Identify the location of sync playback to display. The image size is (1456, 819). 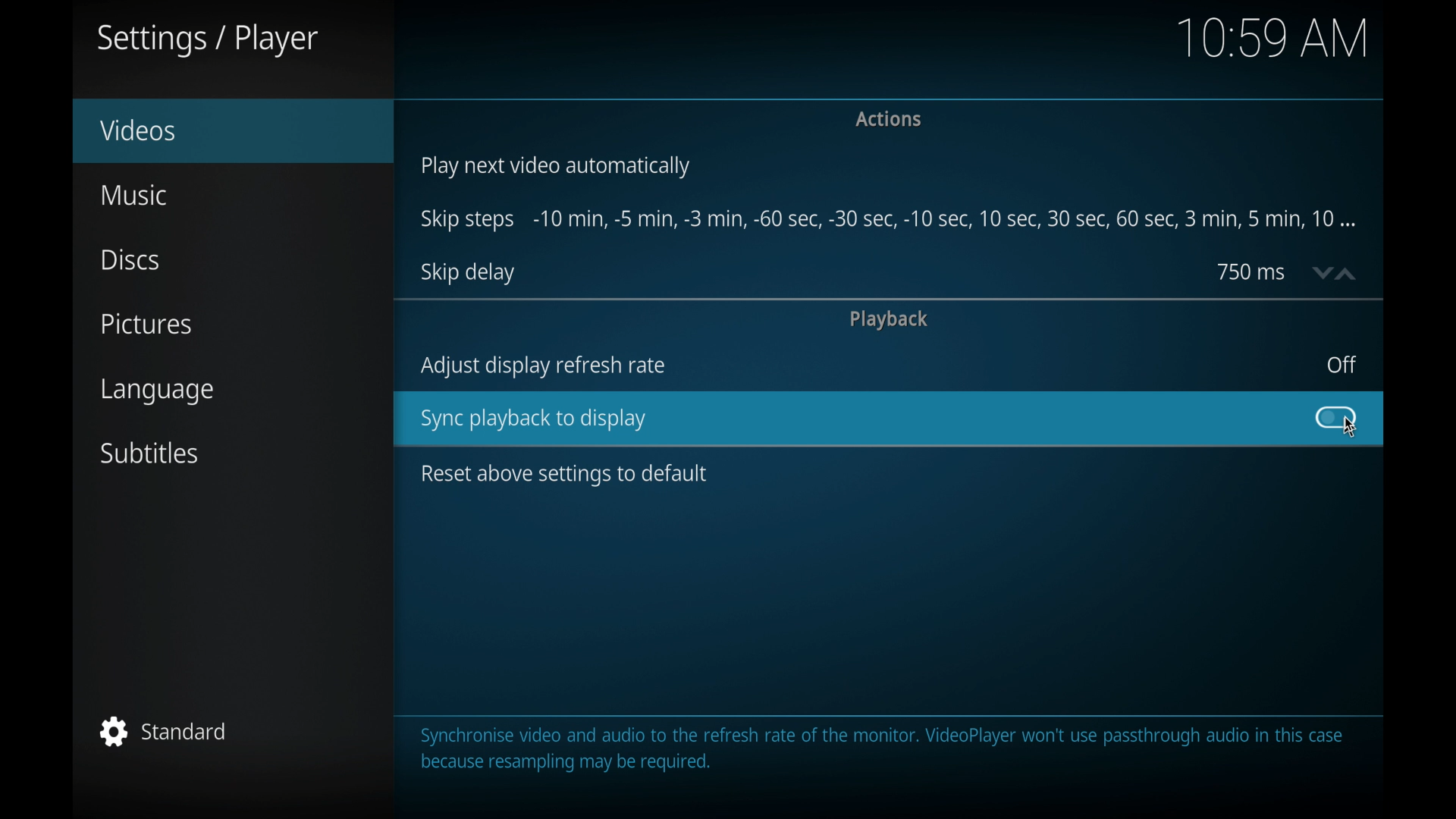
(534, 419).